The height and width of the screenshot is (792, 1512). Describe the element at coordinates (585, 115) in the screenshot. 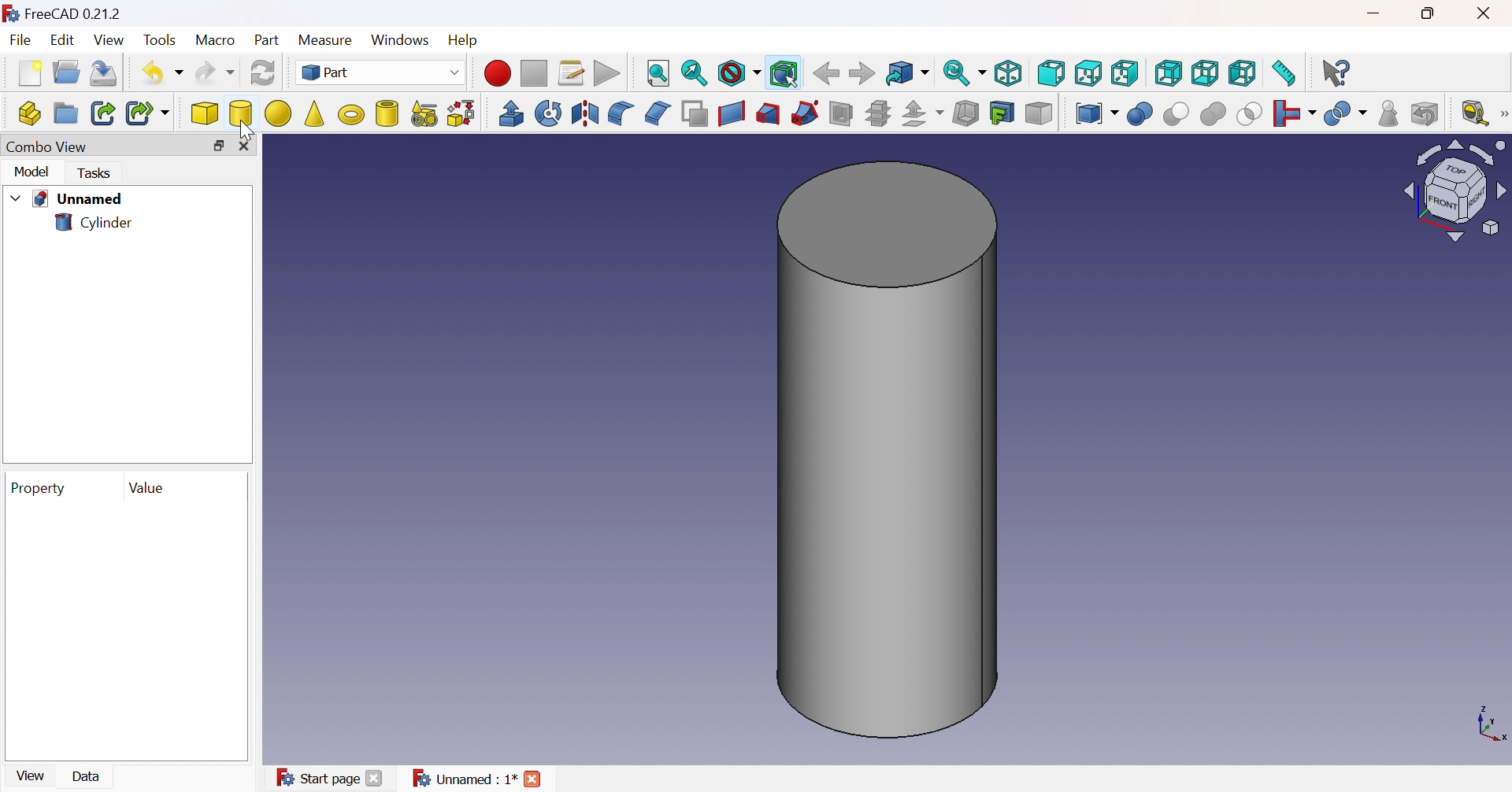

I see `Mirroring` at that location.